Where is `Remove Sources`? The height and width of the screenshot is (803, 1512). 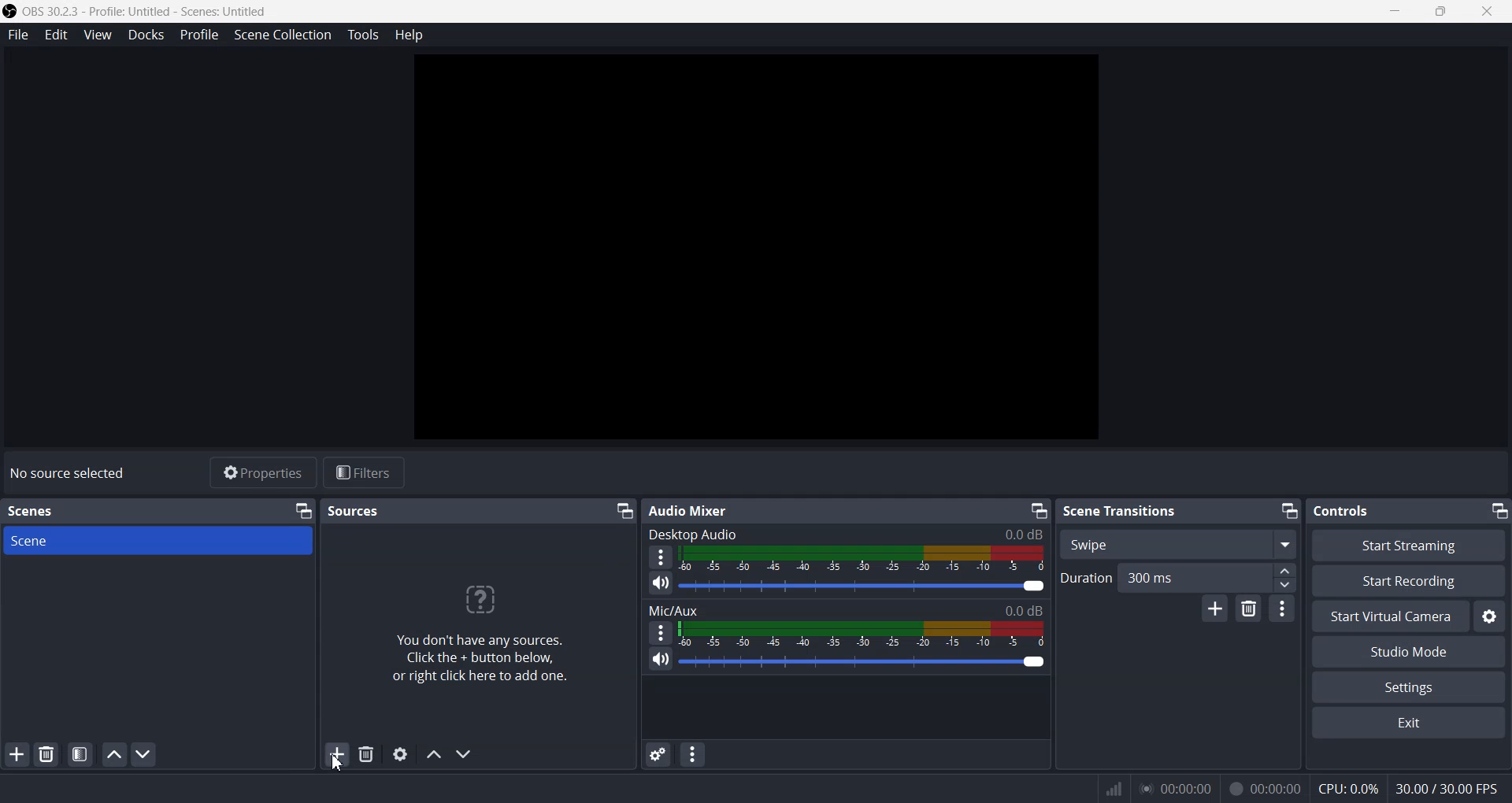 Remove Sources is located at coordinates (366, 753).